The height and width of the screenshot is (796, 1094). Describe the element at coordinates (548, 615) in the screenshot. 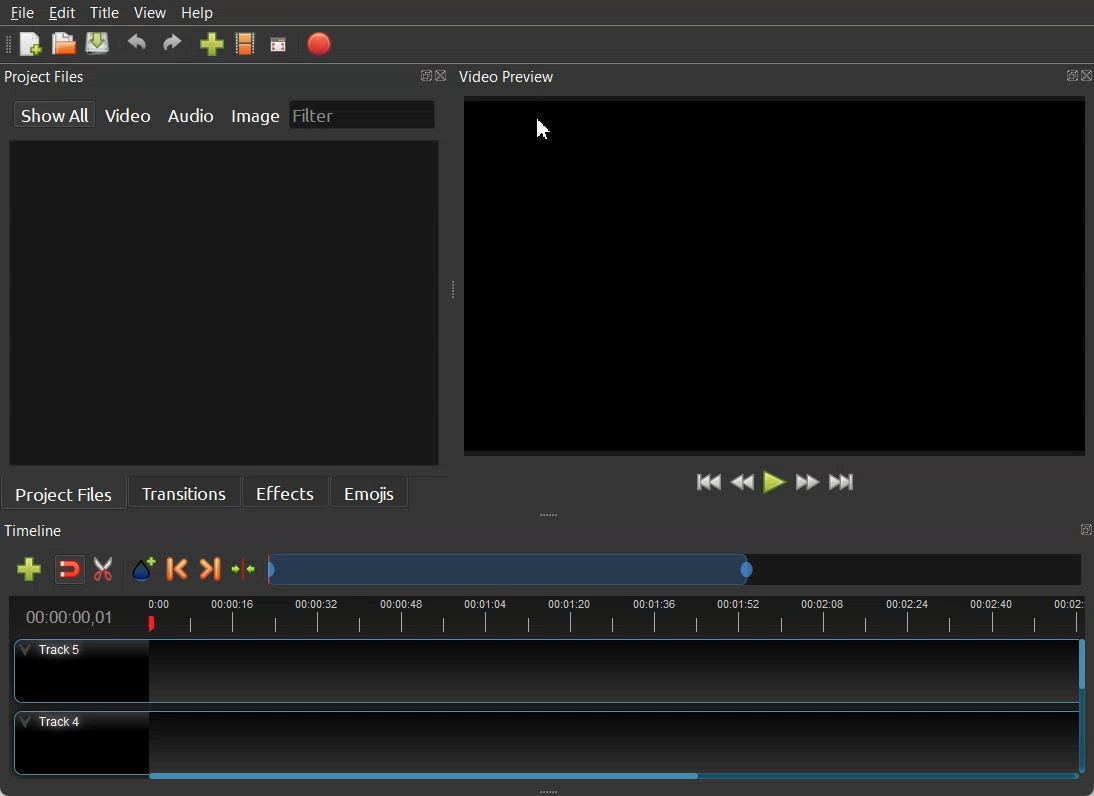

I see `Timeline view` at that location.